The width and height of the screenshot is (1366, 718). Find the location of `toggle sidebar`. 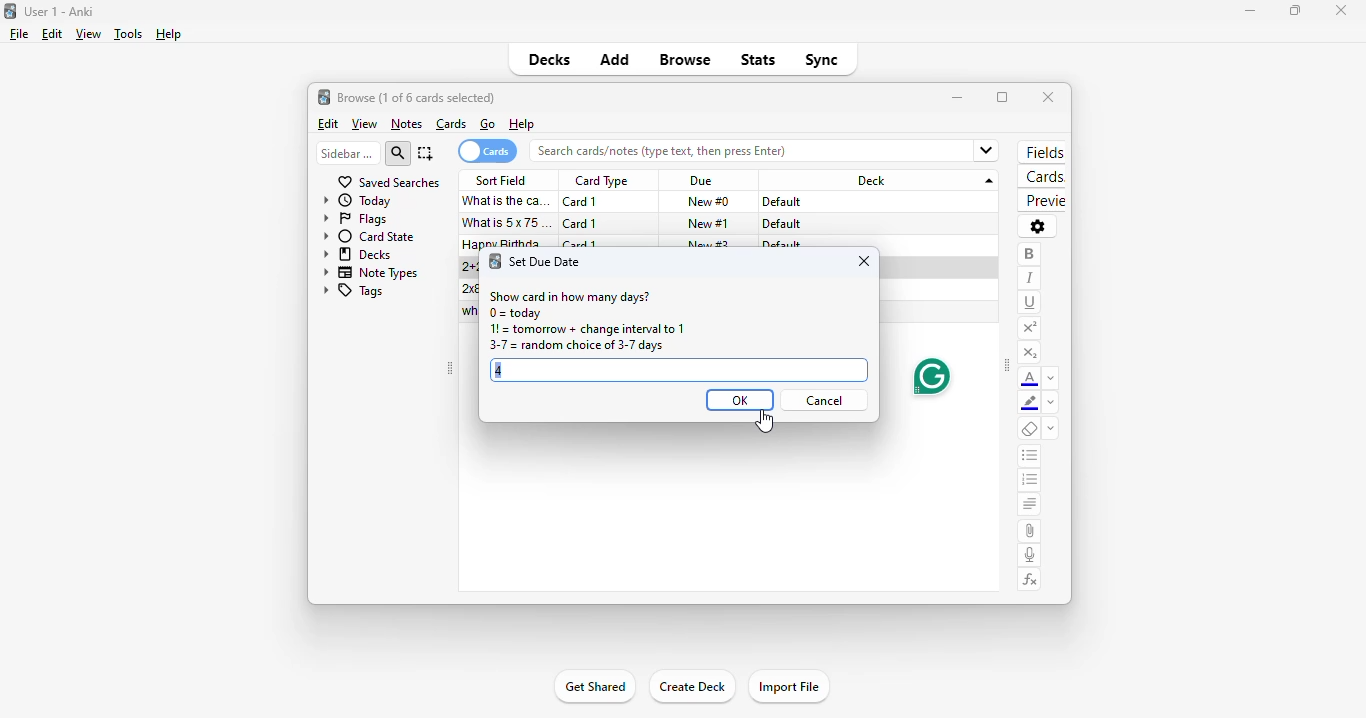

toggle sidebar is located at coordinates (449, 369).